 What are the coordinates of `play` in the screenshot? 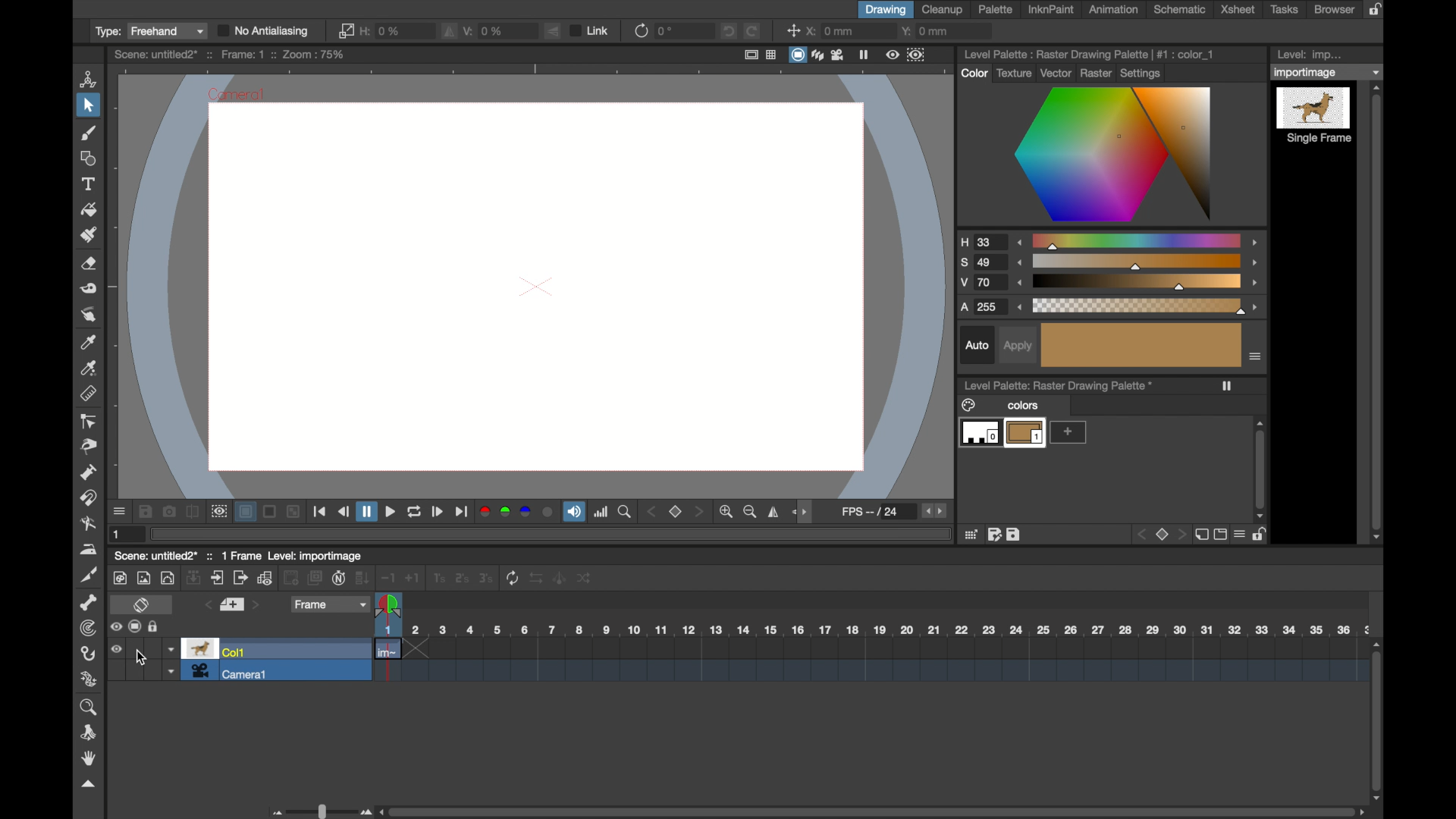 It's located at (438, 513).